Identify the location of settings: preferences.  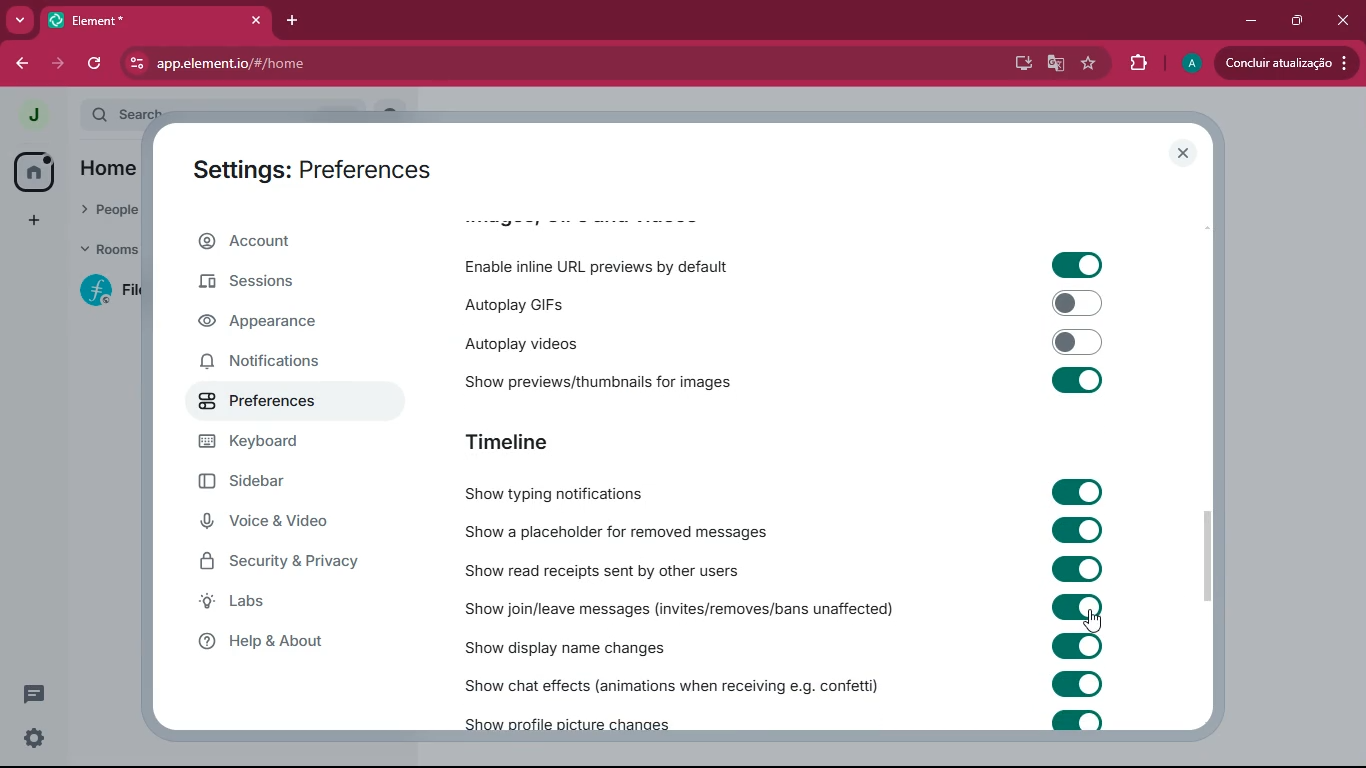
(310, 169).